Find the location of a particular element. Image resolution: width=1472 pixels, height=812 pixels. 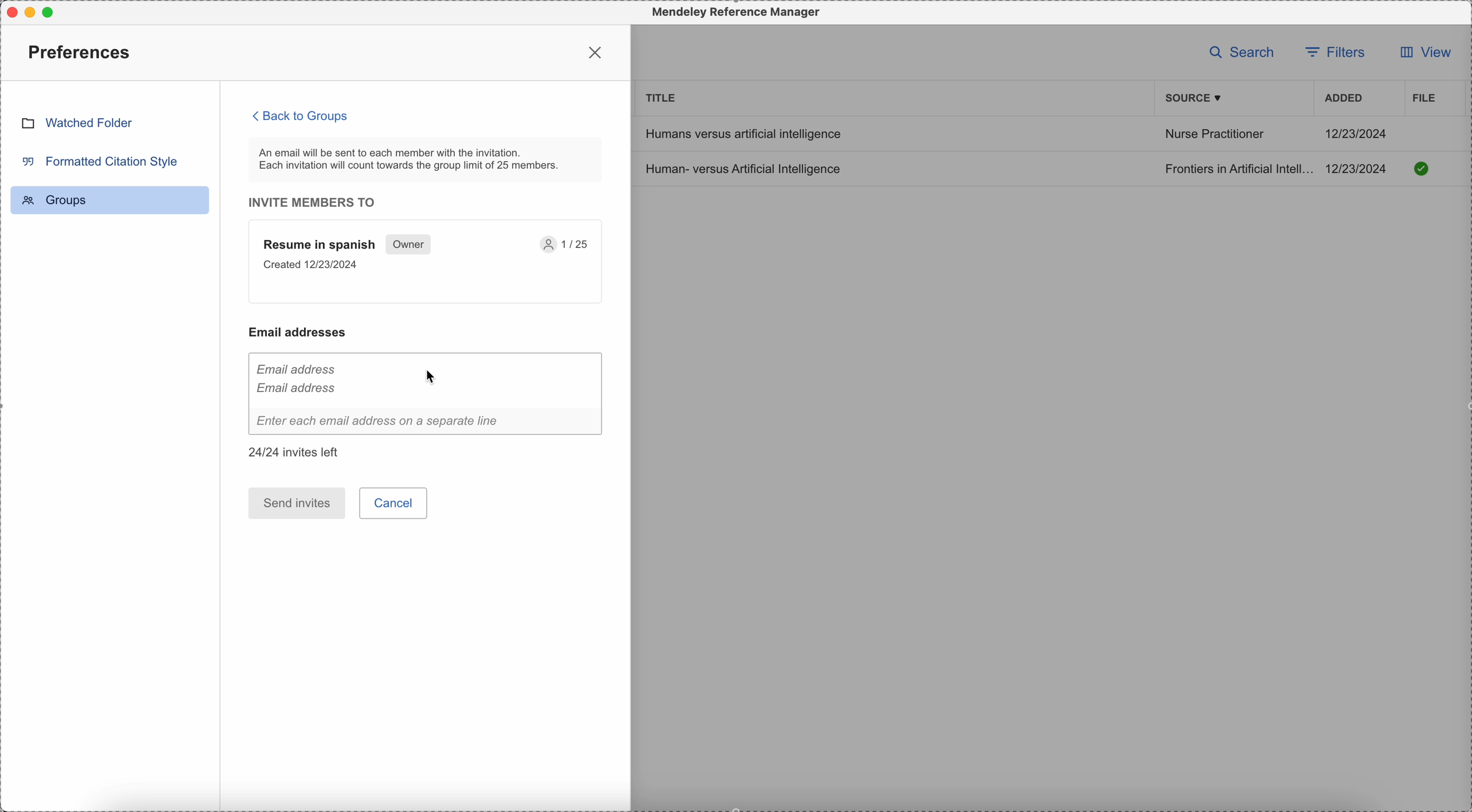

send invites is located at coordinates (297, 503).